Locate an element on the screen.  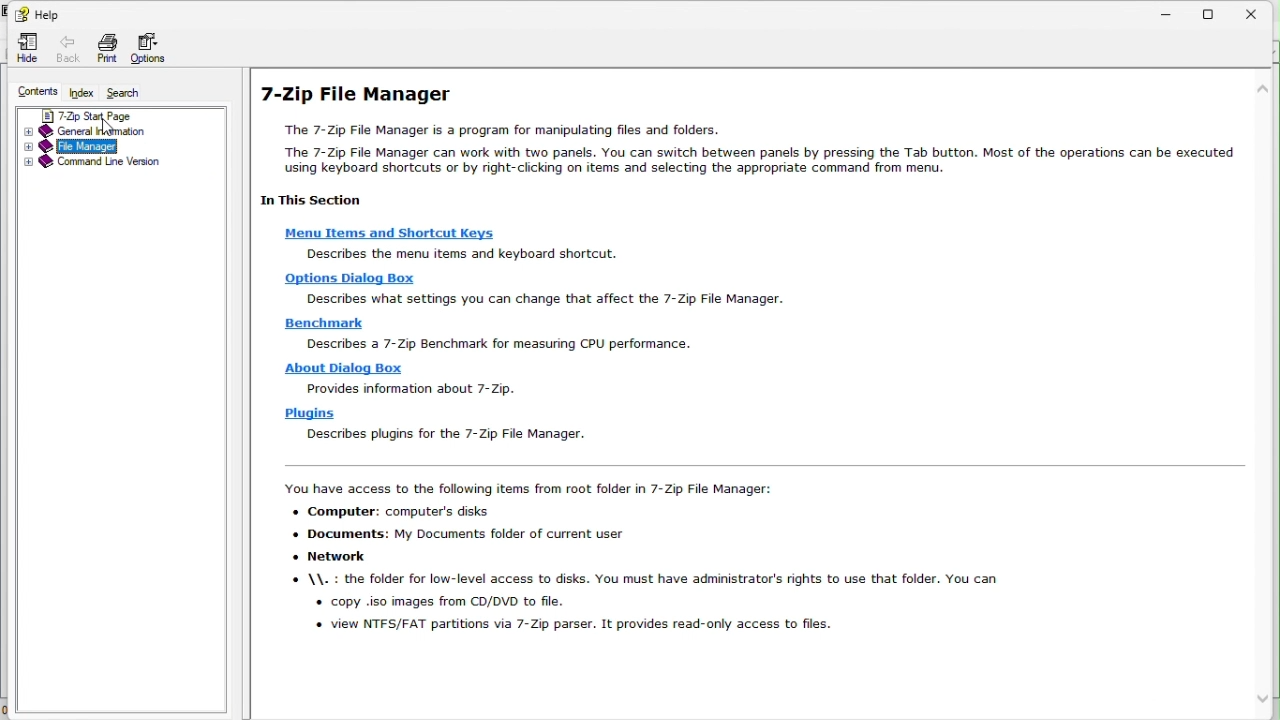
Command line version is located at coordinates (115, 164).